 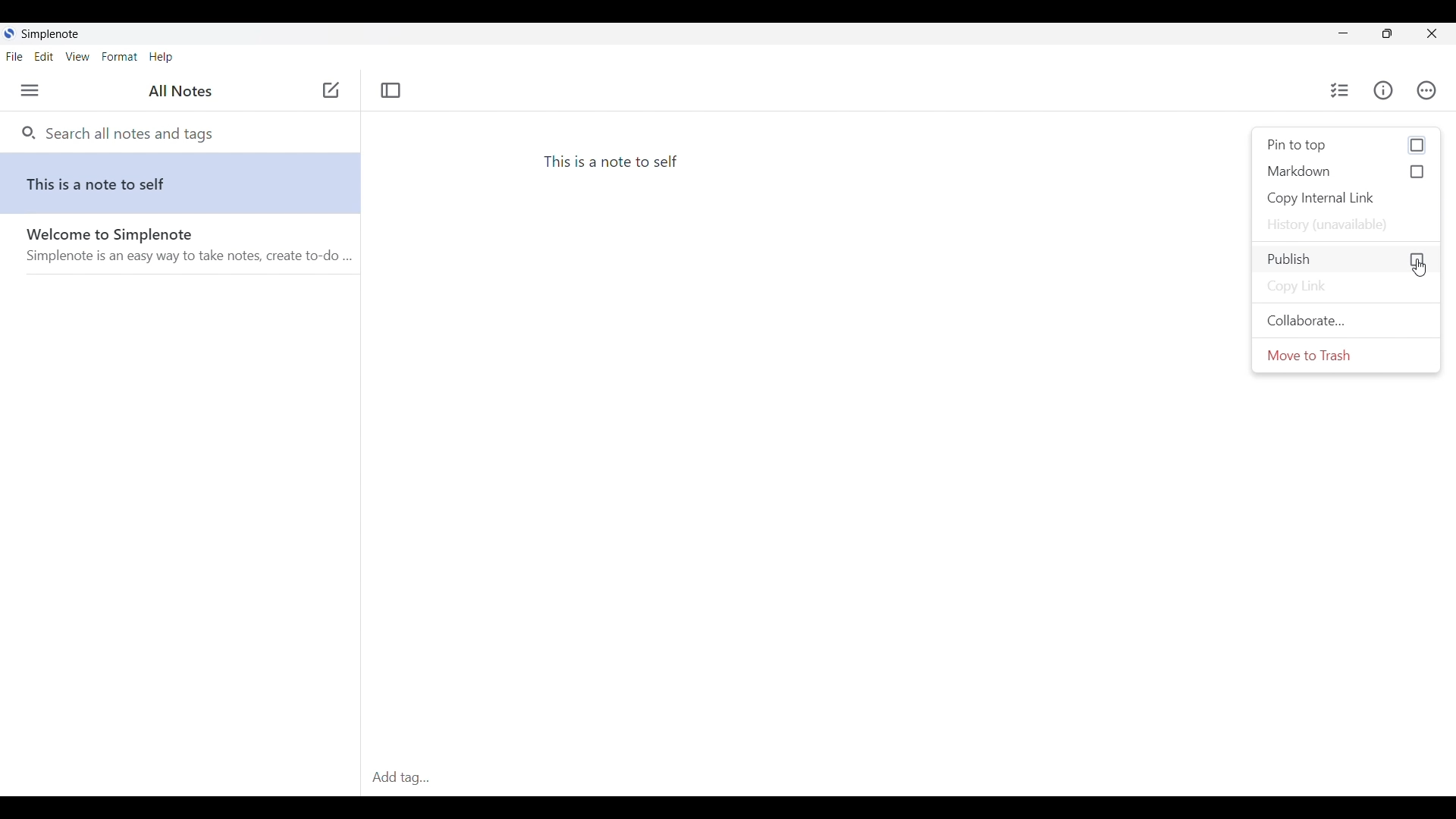 What do you see at coordinates (1387, 33) in the screenshot?
I see `Resize` at bounding box center [1387, 33].